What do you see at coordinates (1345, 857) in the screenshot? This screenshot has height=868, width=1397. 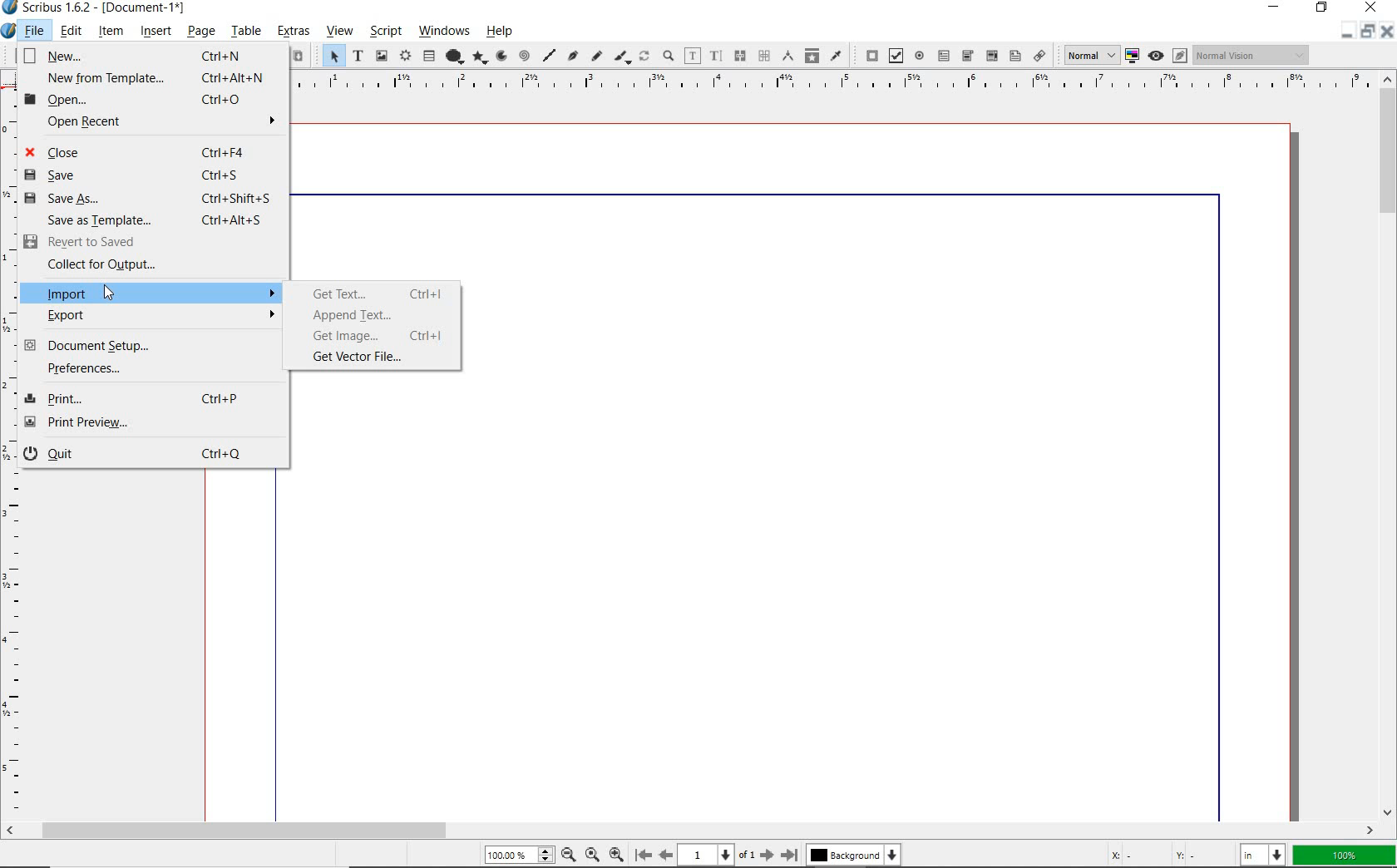 I see `zoom factor` at bounding box center [1345, 857].